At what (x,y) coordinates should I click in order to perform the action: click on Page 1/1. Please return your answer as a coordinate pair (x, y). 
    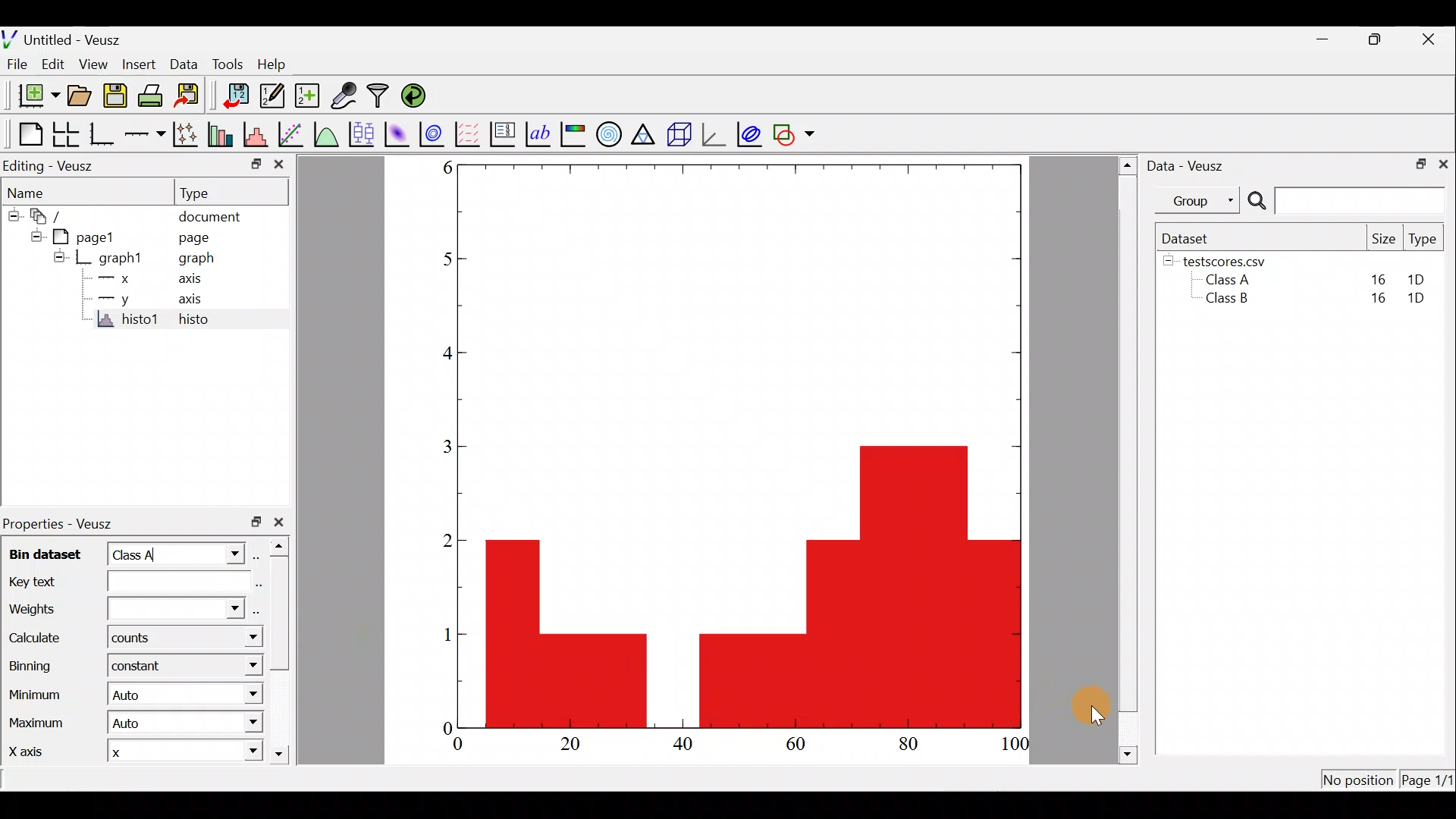
    Looking at the image, I should click on (1429, 780).